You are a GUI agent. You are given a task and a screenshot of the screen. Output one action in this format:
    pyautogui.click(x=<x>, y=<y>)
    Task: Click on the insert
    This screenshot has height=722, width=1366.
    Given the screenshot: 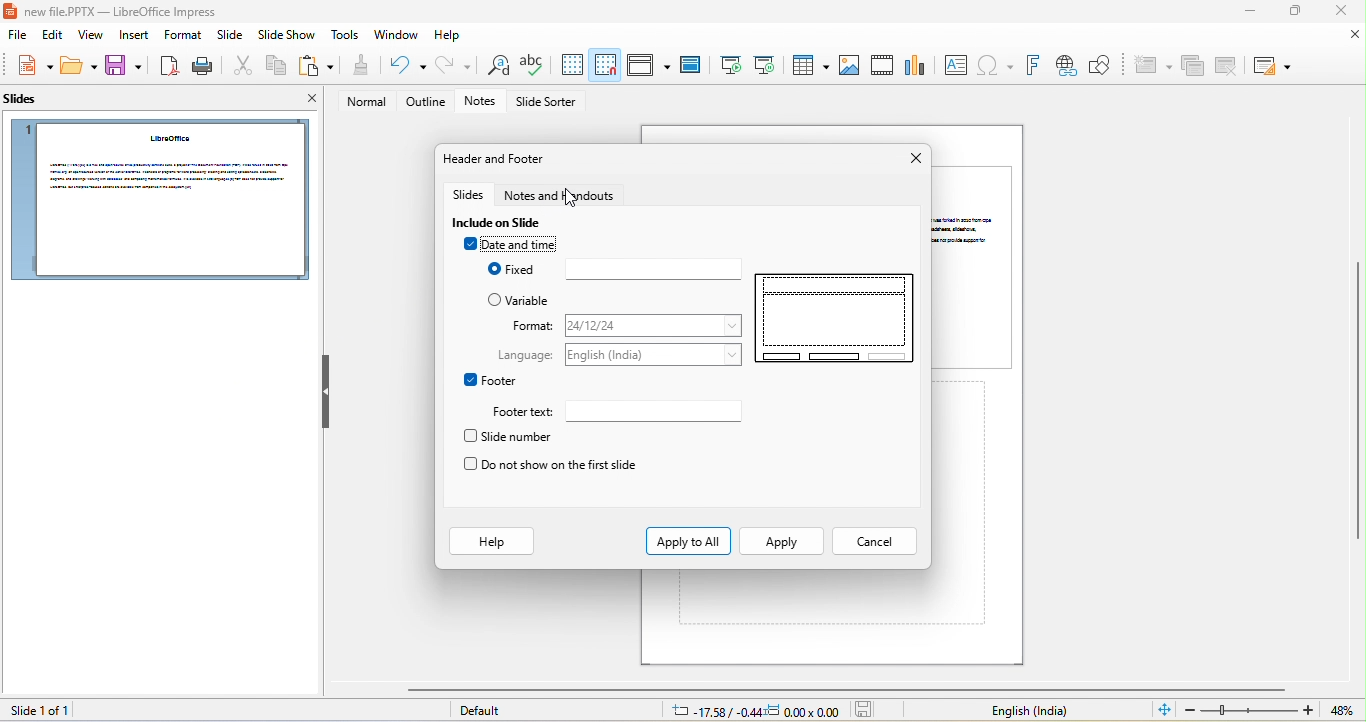 What is the action you would take?
    pyautogui.click(x=137, y=36)
    